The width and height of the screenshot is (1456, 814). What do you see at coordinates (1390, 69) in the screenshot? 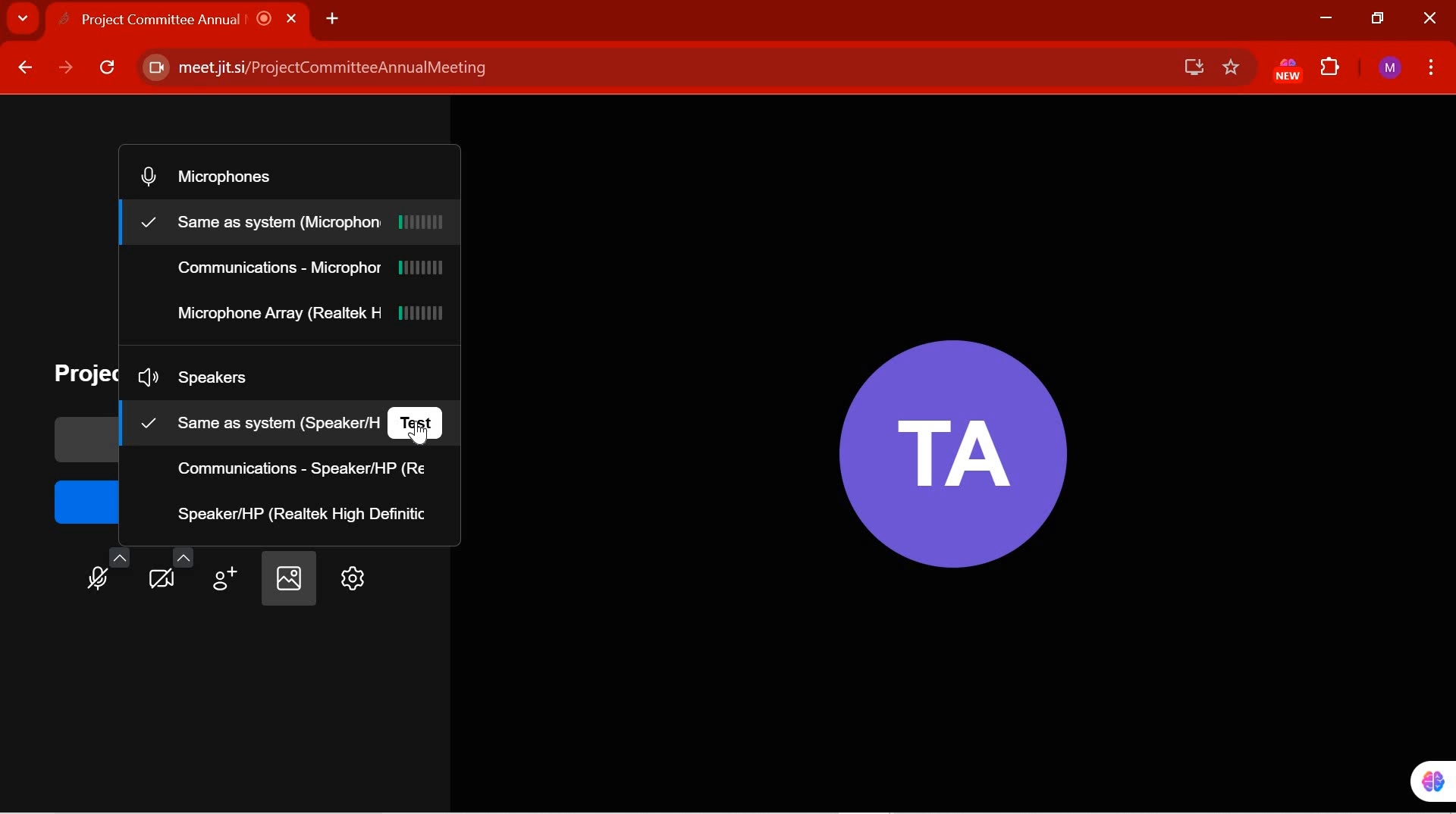
I see `ACCOUNT NAME` at bounding box center [1390, 69].